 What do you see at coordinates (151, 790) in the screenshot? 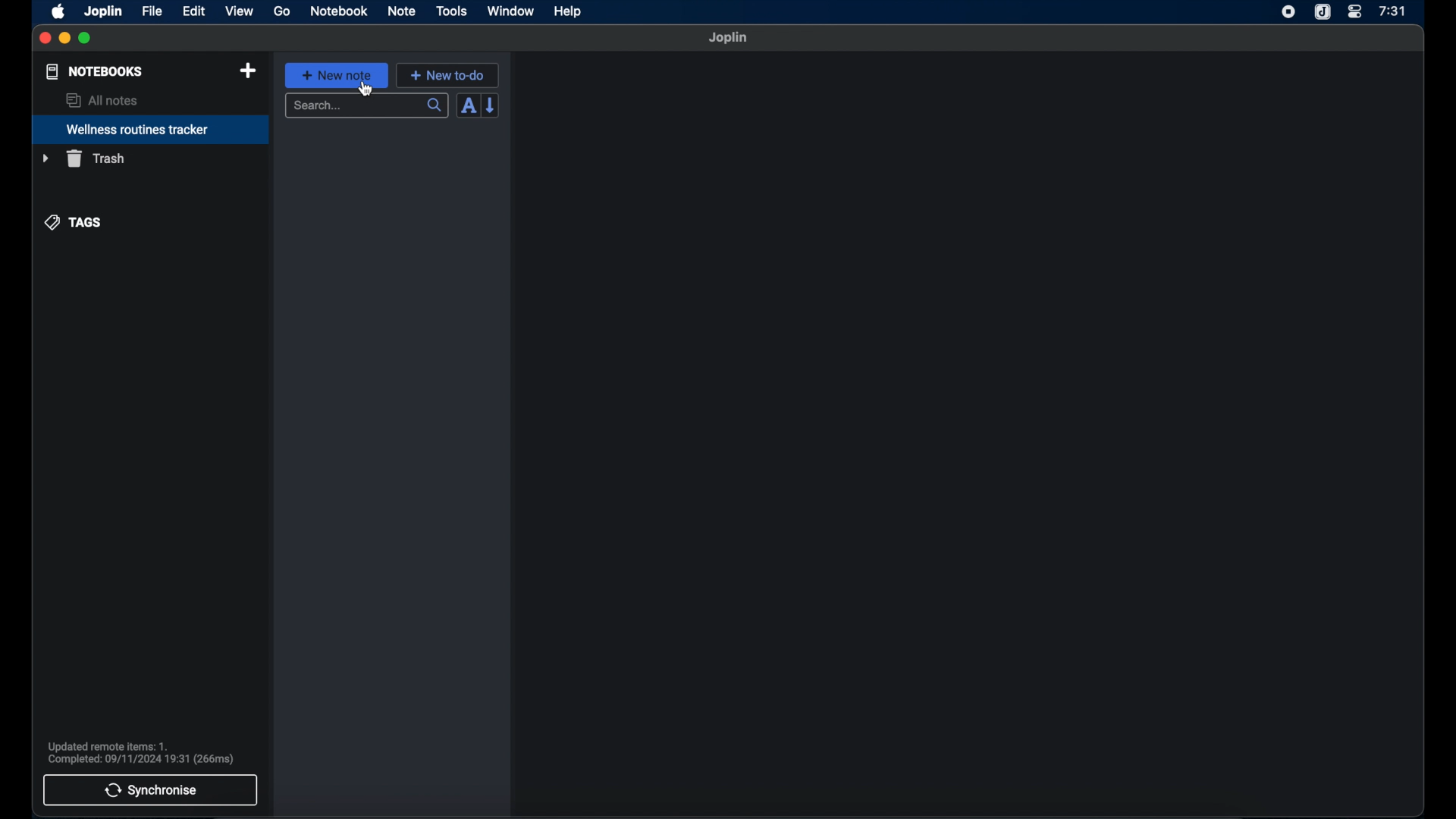
I see `synchronise` at bounding box center [151, 790].